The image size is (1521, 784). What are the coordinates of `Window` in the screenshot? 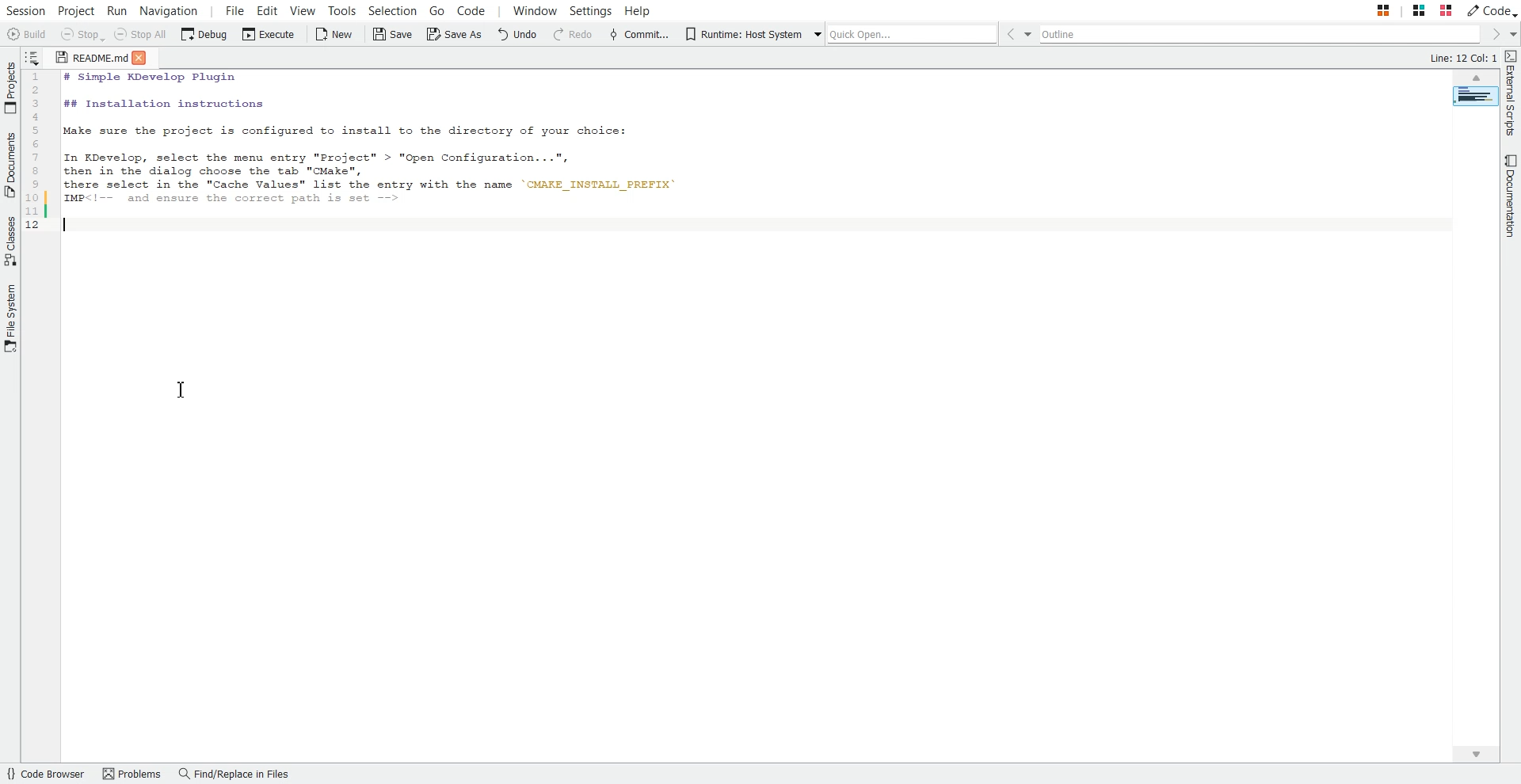 It's located at (535, 10).